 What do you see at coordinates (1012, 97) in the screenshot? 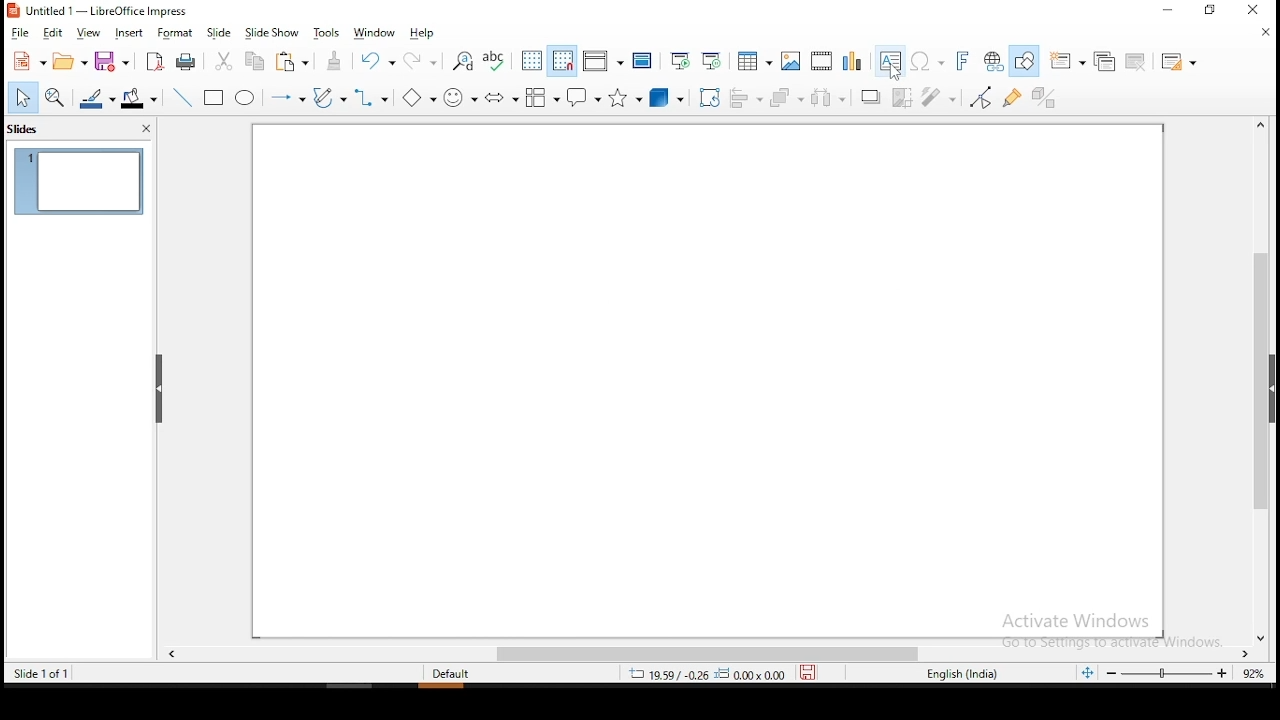
I see `show gluepoint functions` at bounding box center [1012, 97].